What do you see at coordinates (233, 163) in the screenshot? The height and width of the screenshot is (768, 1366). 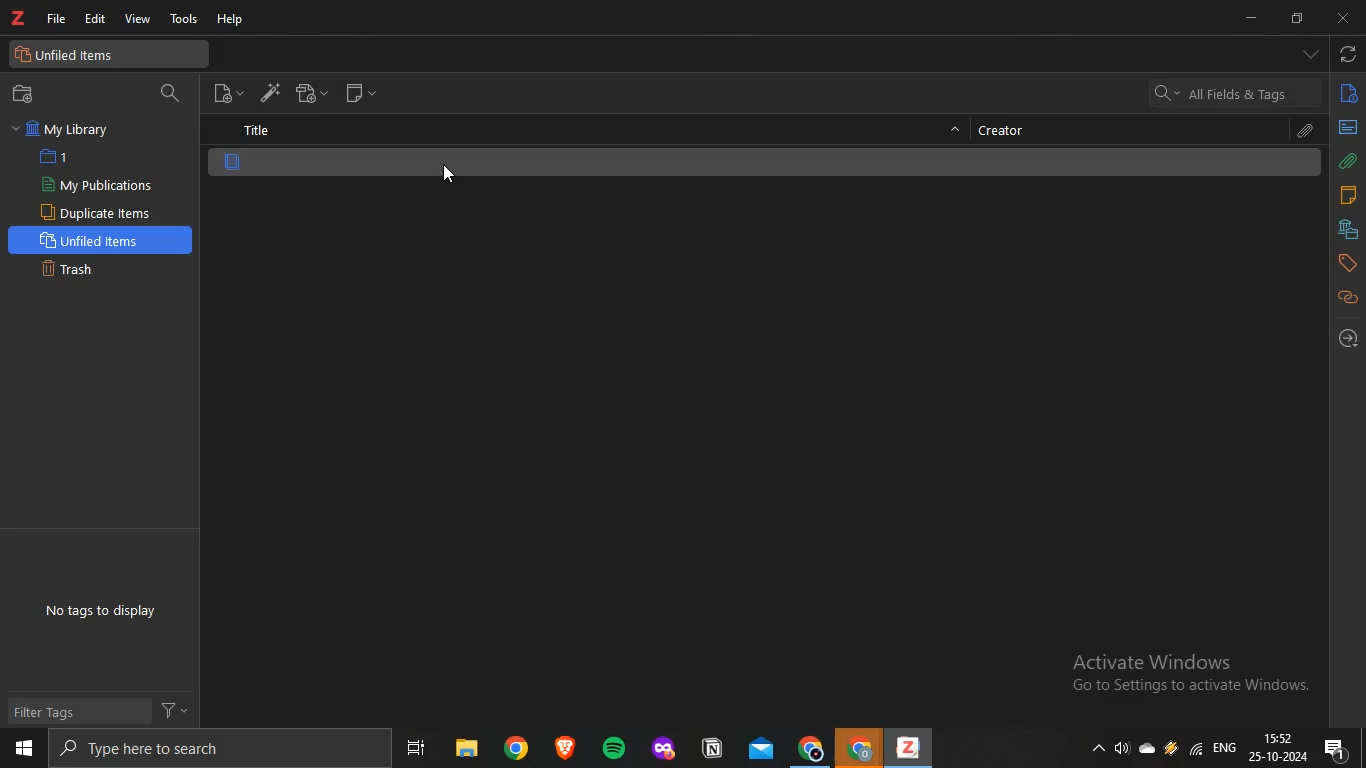 I see `item` at bounding box center [233, 163].